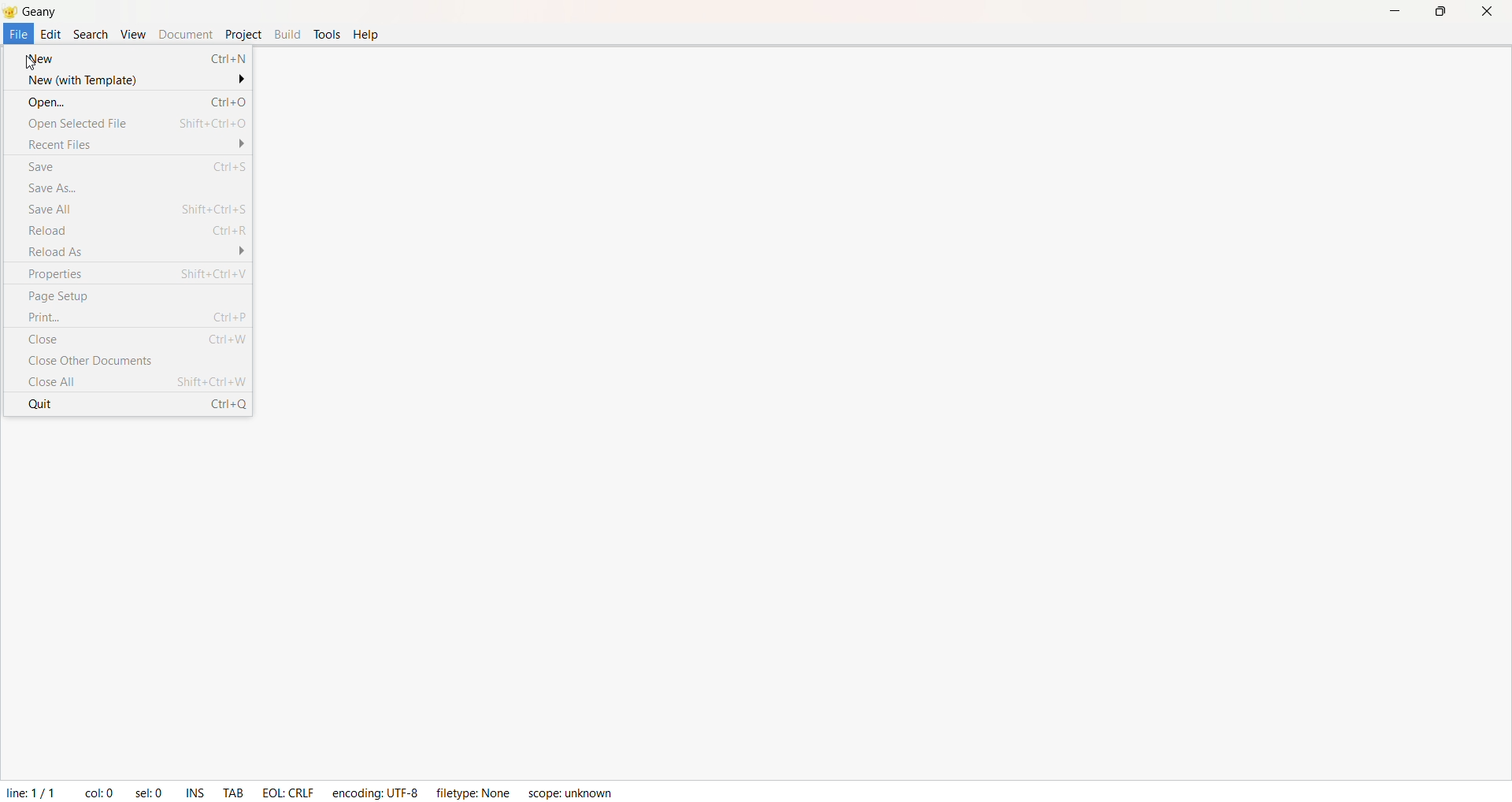  Describe the element at coordinates (135, 275) in the screenshot. I see `Properties` at that location.